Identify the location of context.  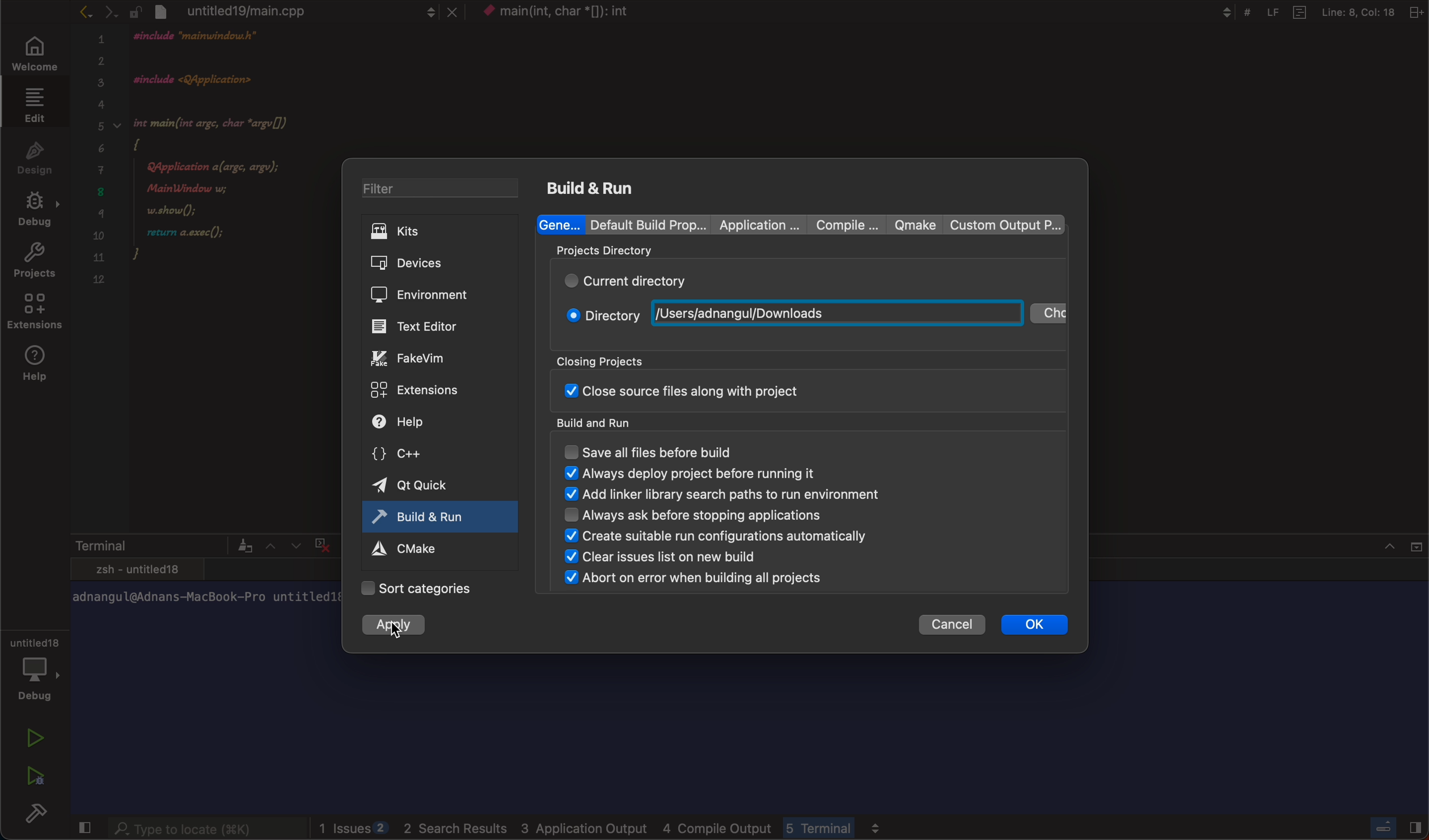
(579, 12).